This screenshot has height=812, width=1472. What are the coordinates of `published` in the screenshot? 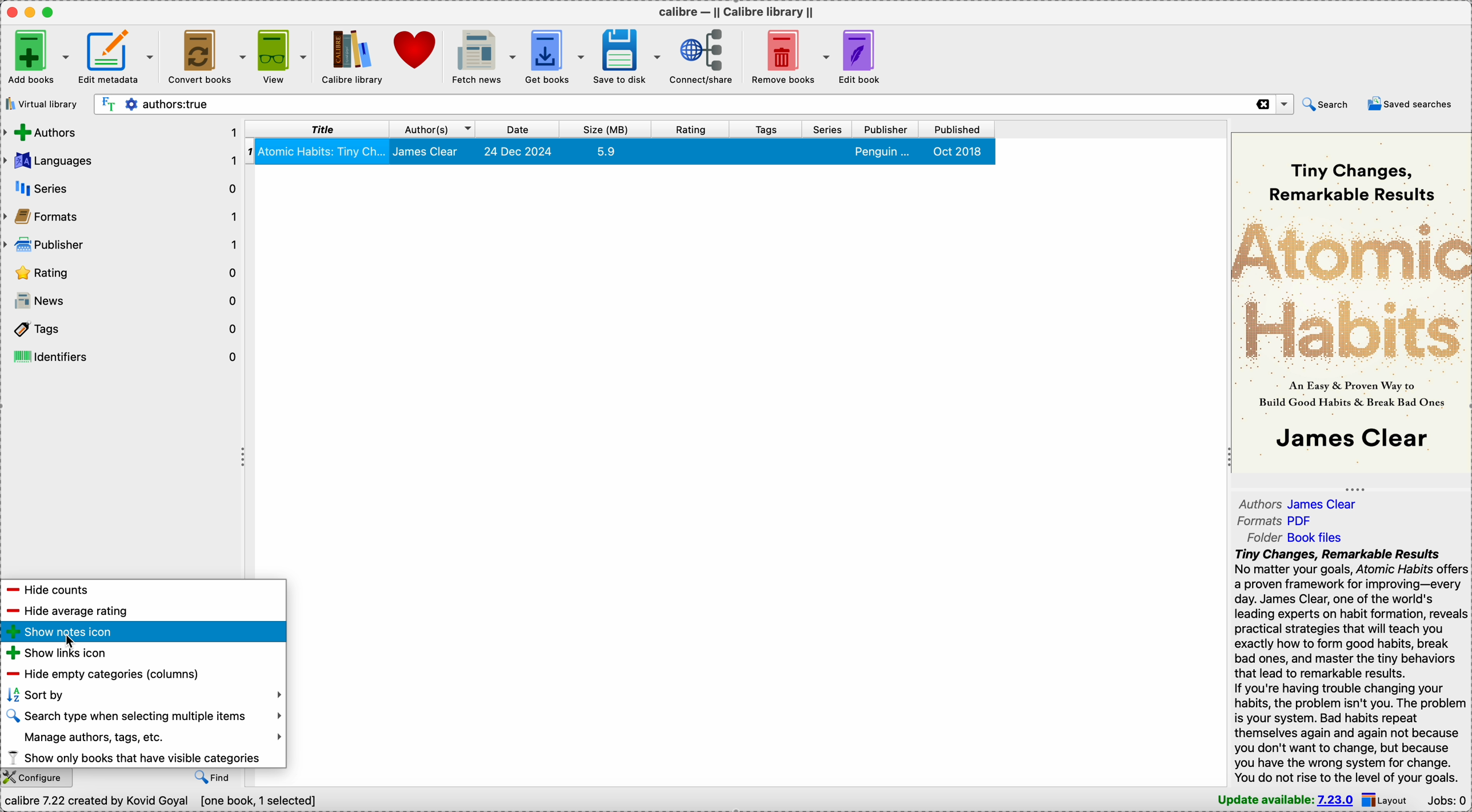 It's located at (957, 129).